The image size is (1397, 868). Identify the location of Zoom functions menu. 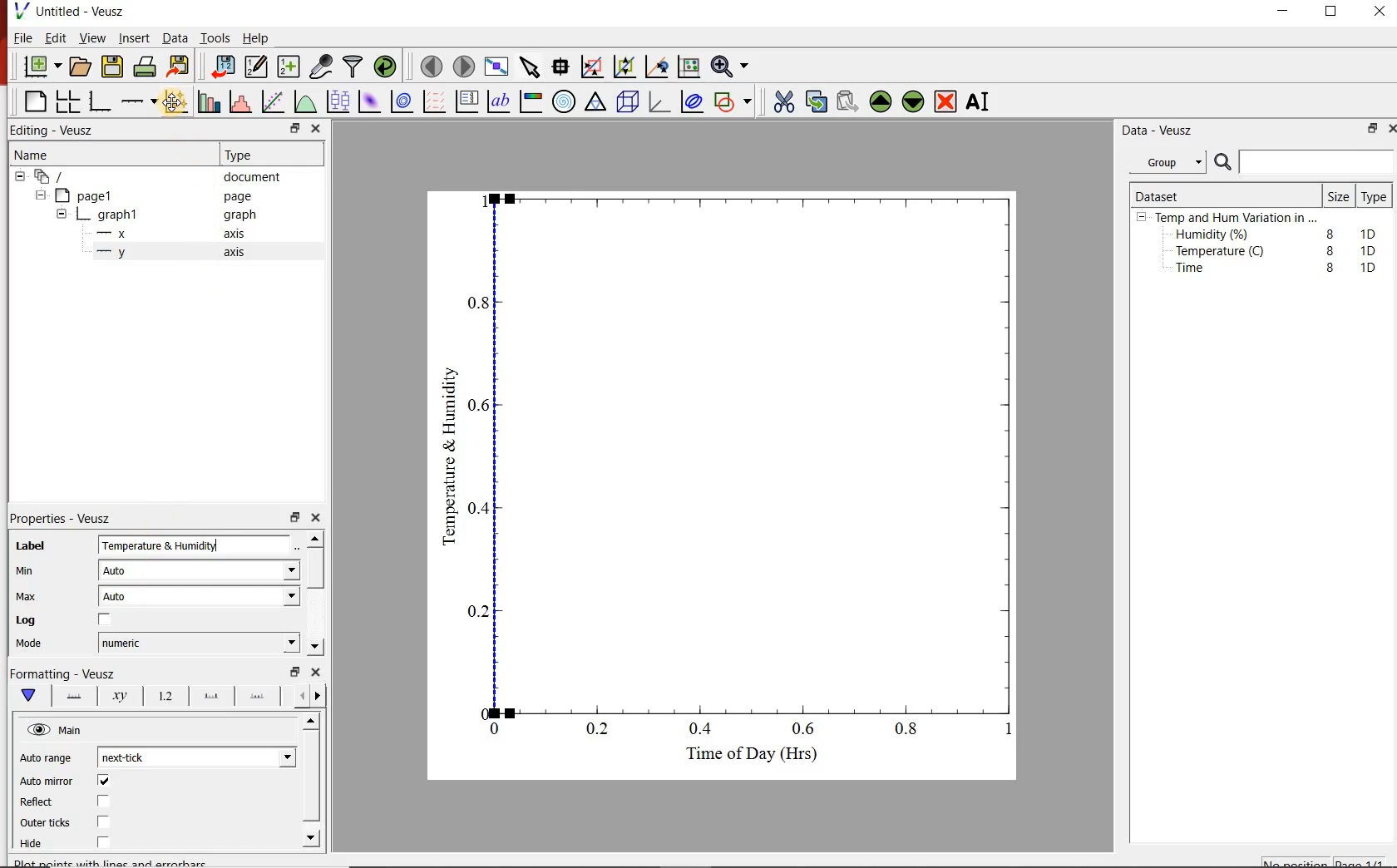
(729, 66).